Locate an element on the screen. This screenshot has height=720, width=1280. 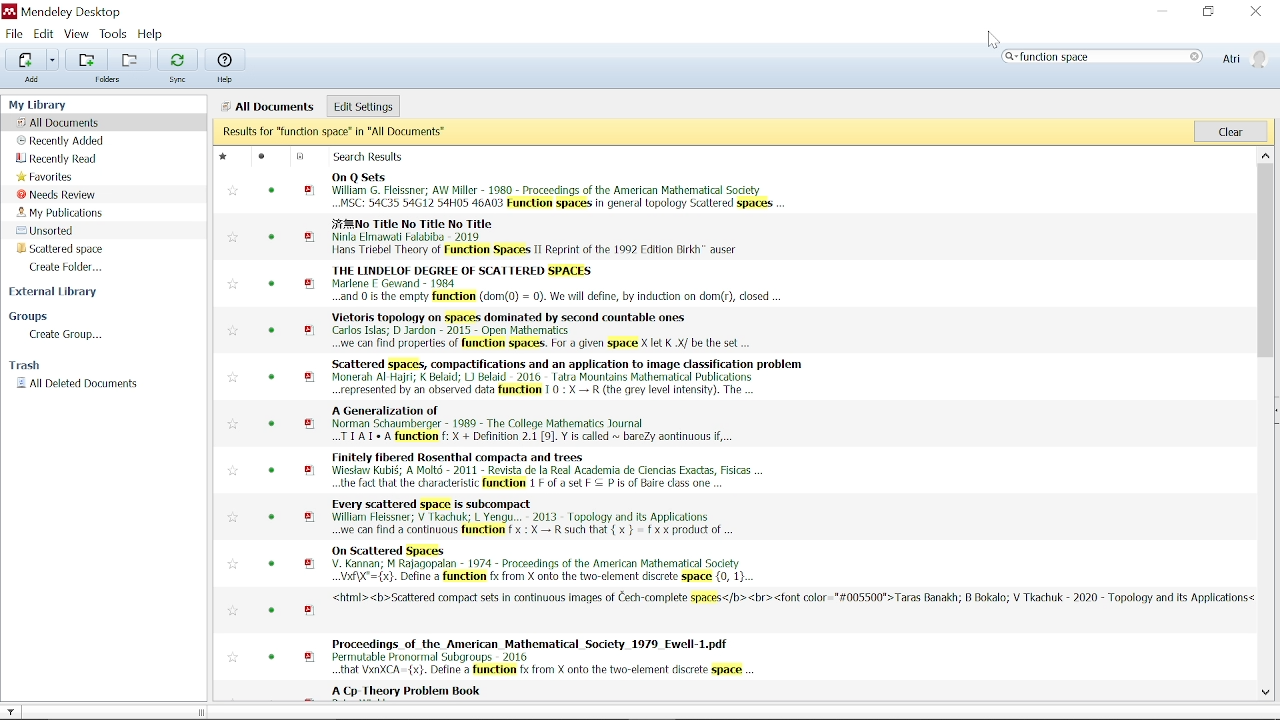
A Generalization of Norman Schaumberger - 1989 - The Collage Mathematics JournalRe a a Oy acntinods i] is located at coordinates (756, 424).